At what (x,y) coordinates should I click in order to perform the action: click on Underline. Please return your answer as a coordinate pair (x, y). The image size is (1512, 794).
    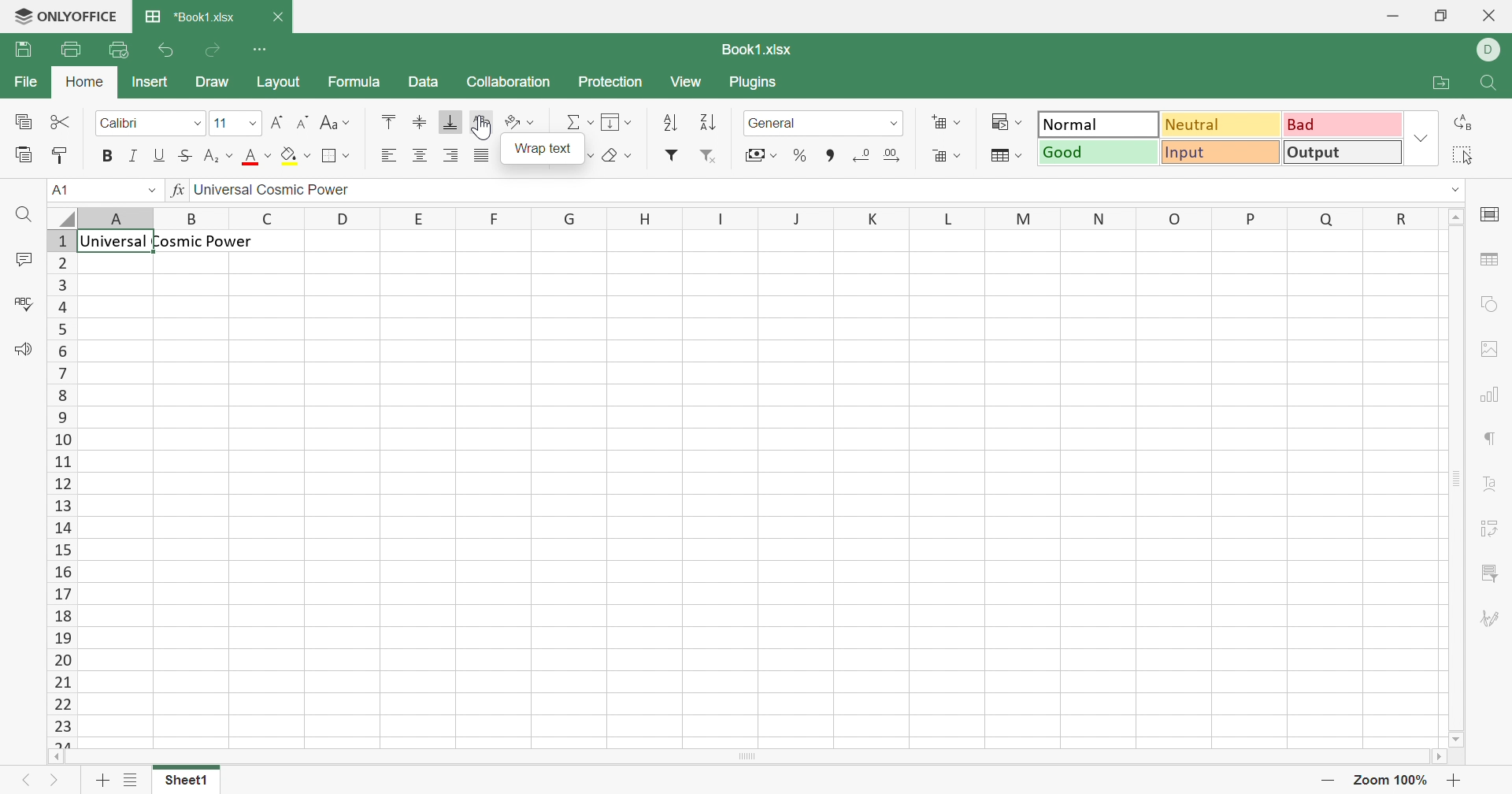
    Looking at the image, I should click on (158, 155).